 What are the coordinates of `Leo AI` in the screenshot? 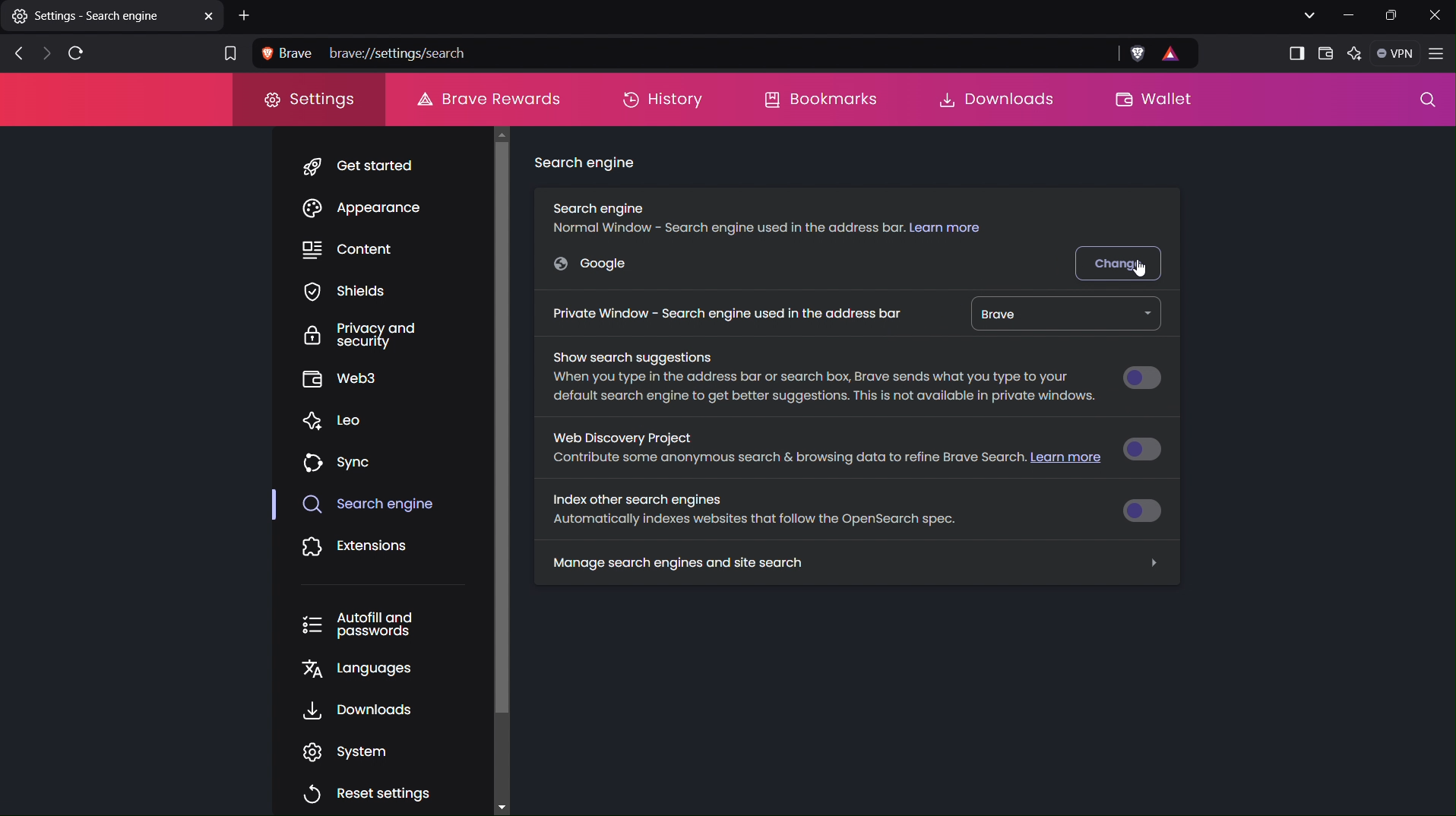 It's located at (1357, 54).